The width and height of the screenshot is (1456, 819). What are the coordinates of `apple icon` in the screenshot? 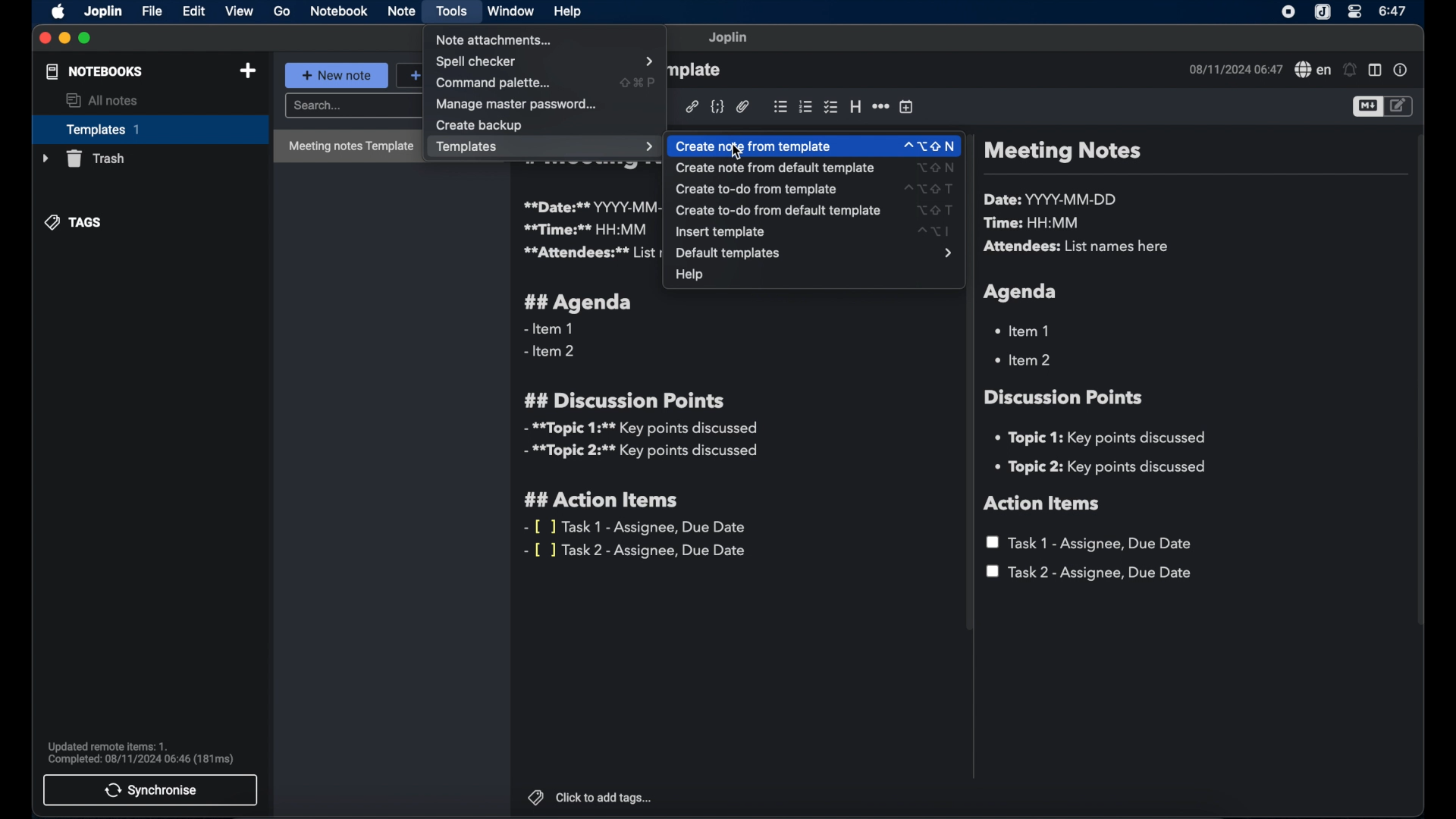 It's located at (55, 12).